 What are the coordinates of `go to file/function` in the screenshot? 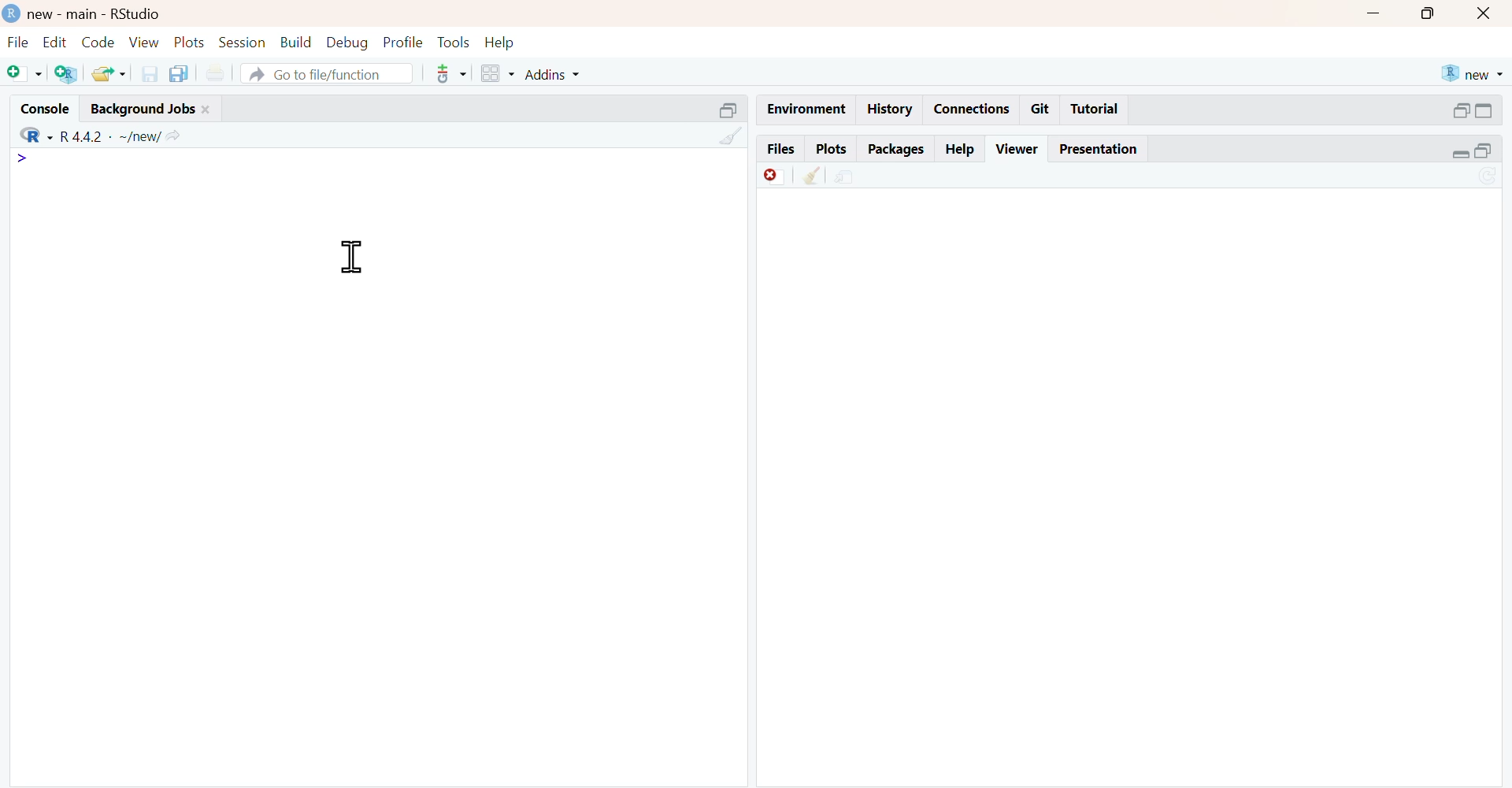 It's located at (328, 72).